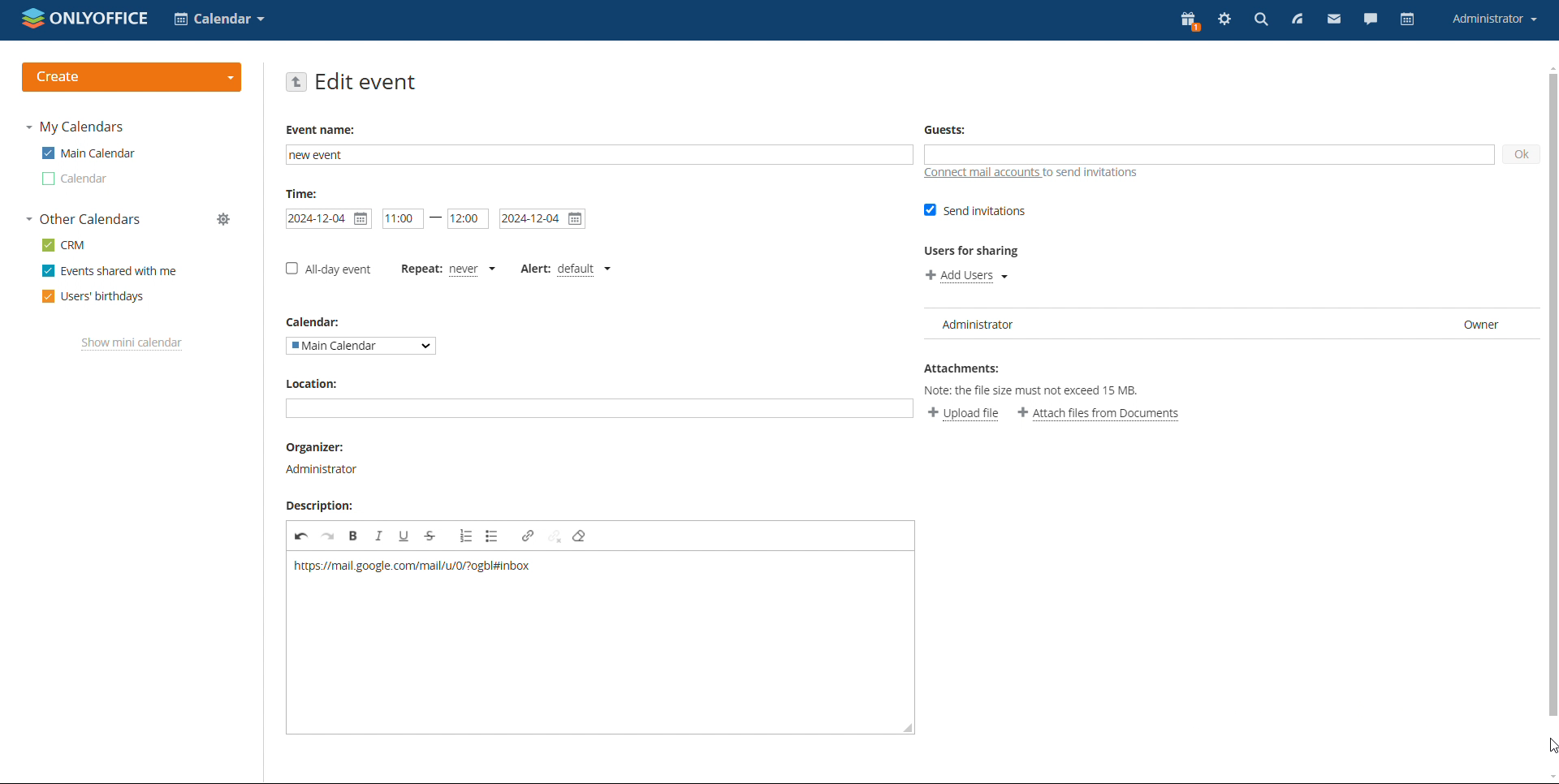  What do you see at coordinates (1097, 174) in the screenshot?
I see `to send invitations` at bounding box center [1097, 174].